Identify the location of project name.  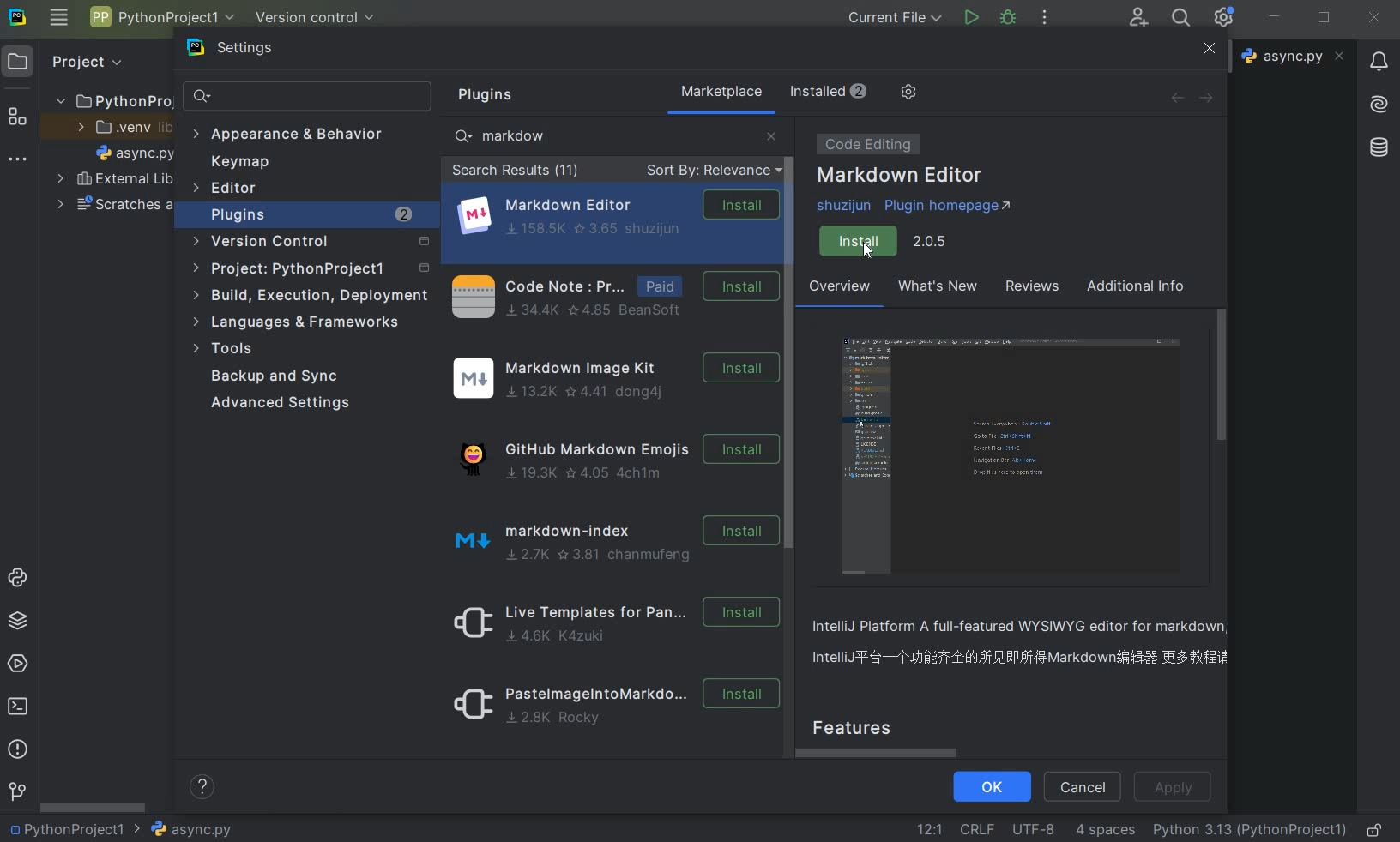
(160, 16).